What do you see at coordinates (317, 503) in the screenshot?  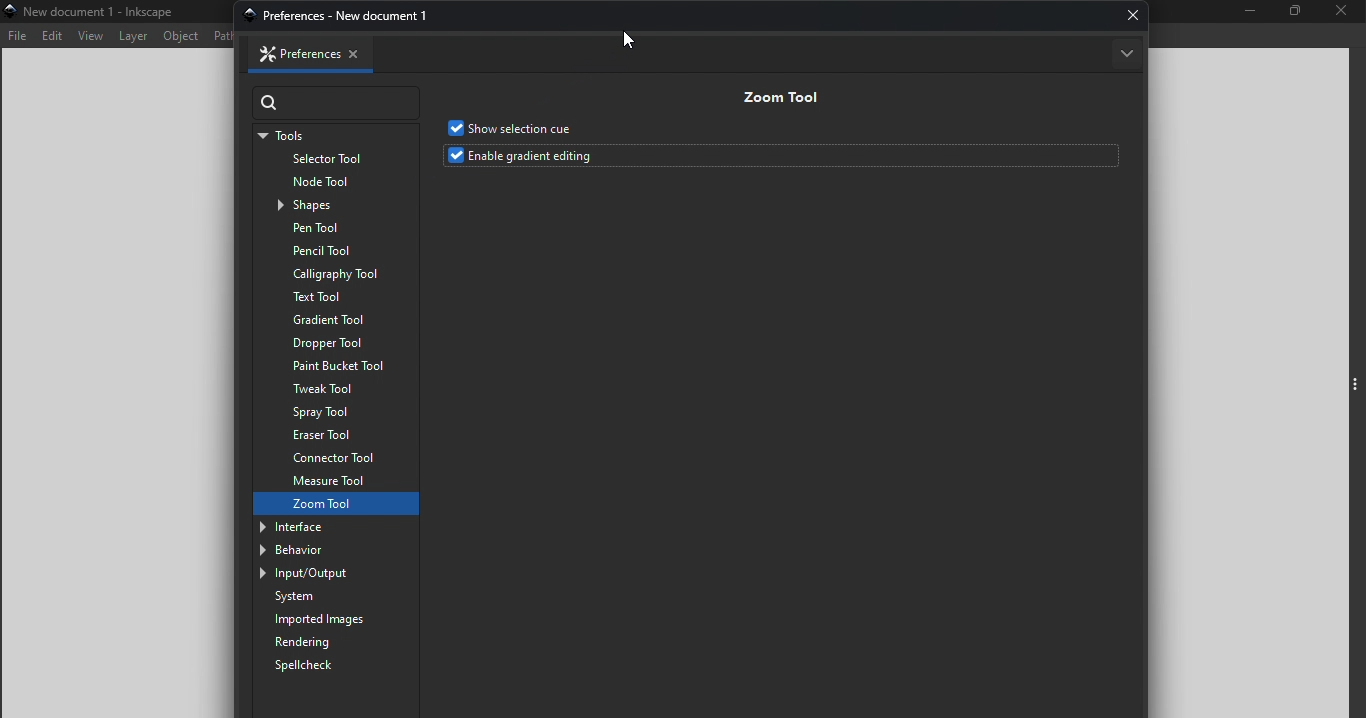 I see `Zoom tool` at bounding box center [317, 503].